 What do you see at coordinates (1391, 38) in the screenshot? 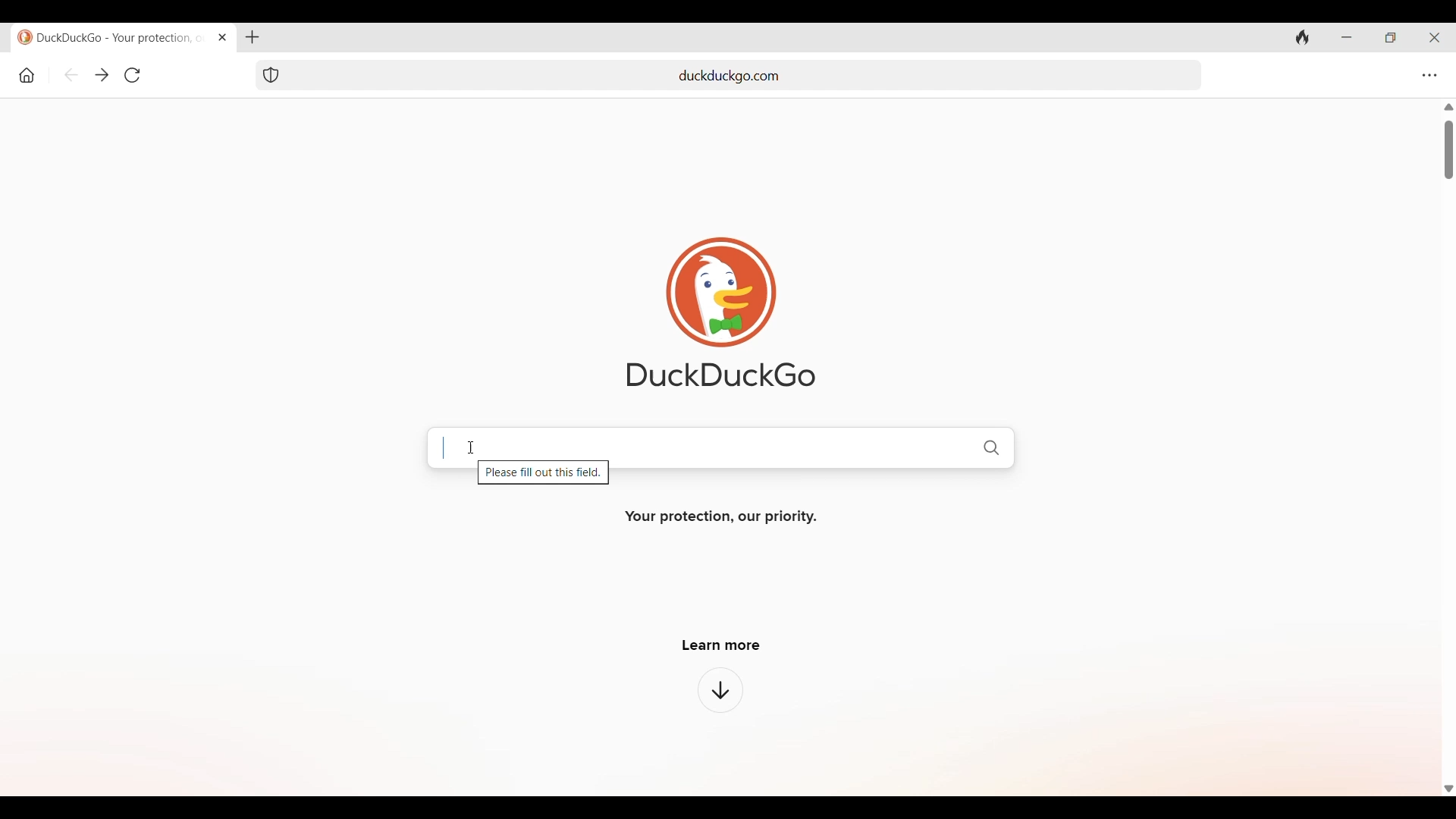
I see `Show interface in a smaller tab` at bounding box center [1391, 38].